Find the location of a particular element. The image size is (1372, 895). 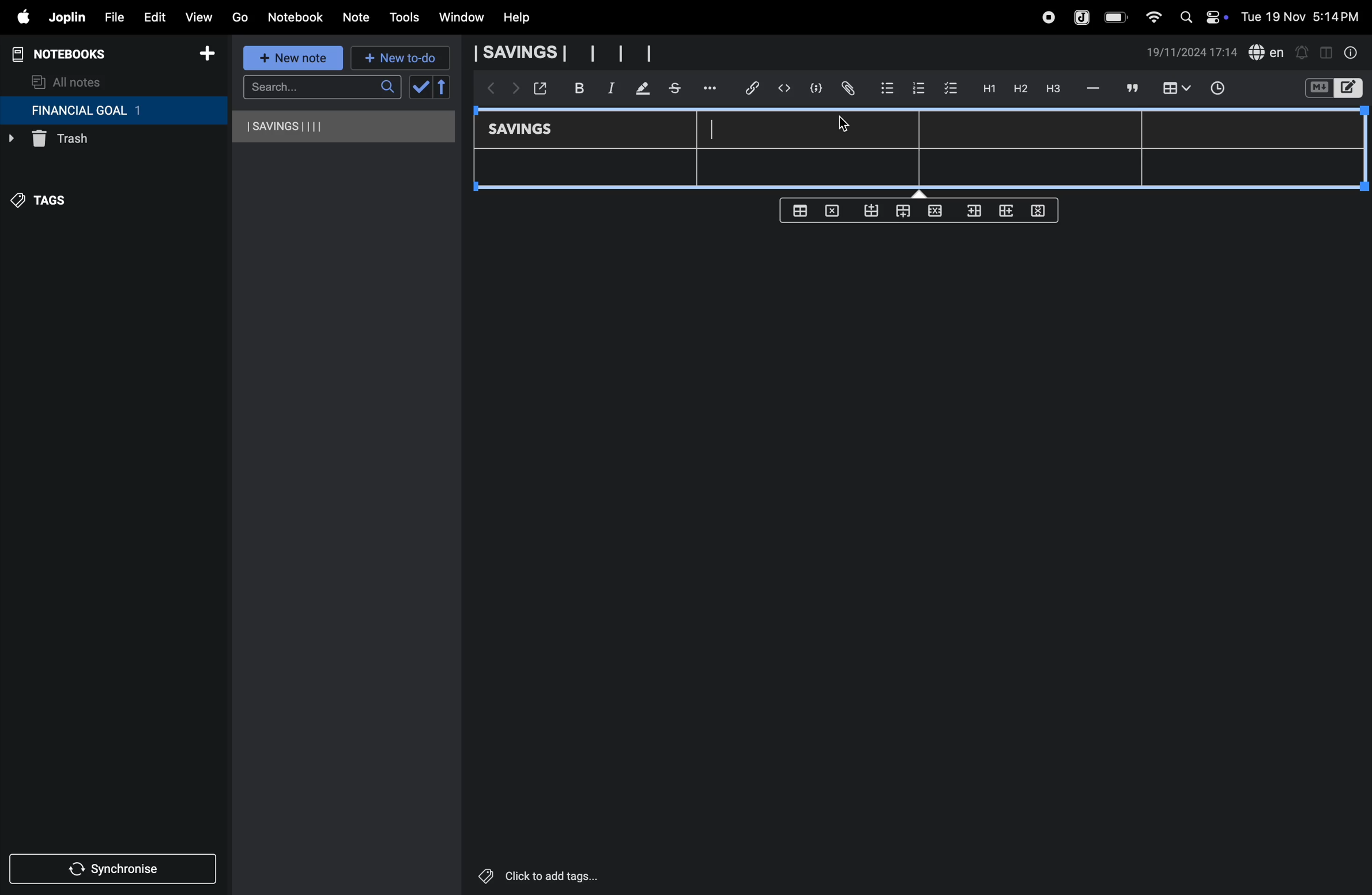

savings is located at coordinates (529, 130).